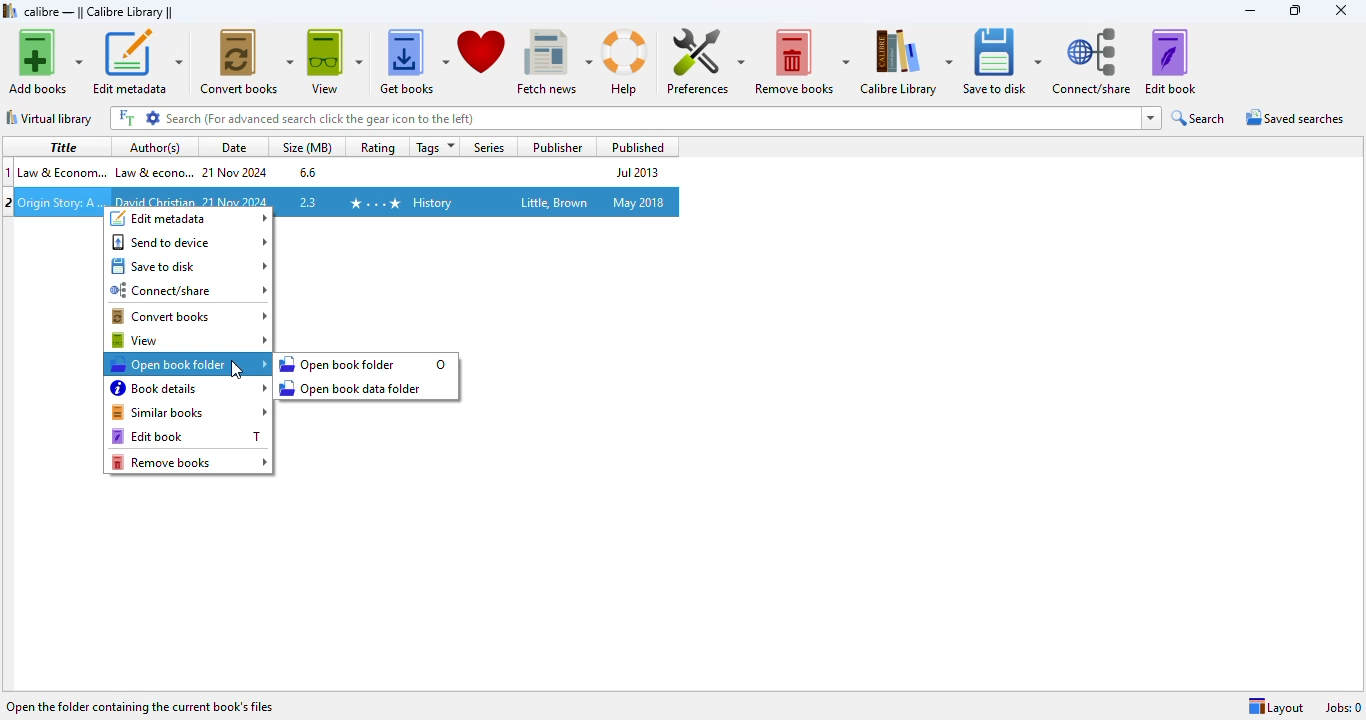 This screenshot has height=720, width=1366. I want to click on calibre library, so click(99, 11).